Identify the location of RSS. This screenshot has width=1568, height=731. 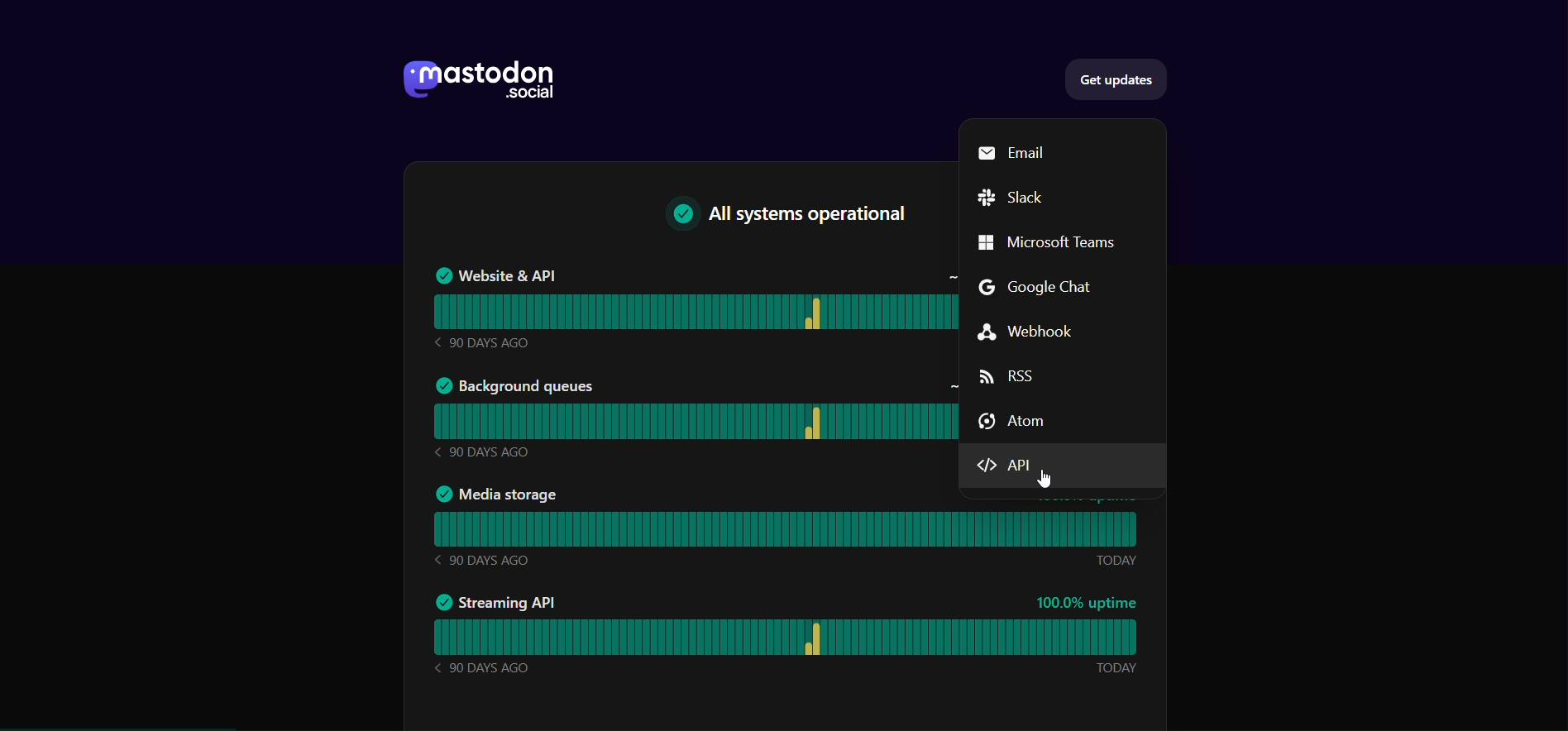
(1017, 377).